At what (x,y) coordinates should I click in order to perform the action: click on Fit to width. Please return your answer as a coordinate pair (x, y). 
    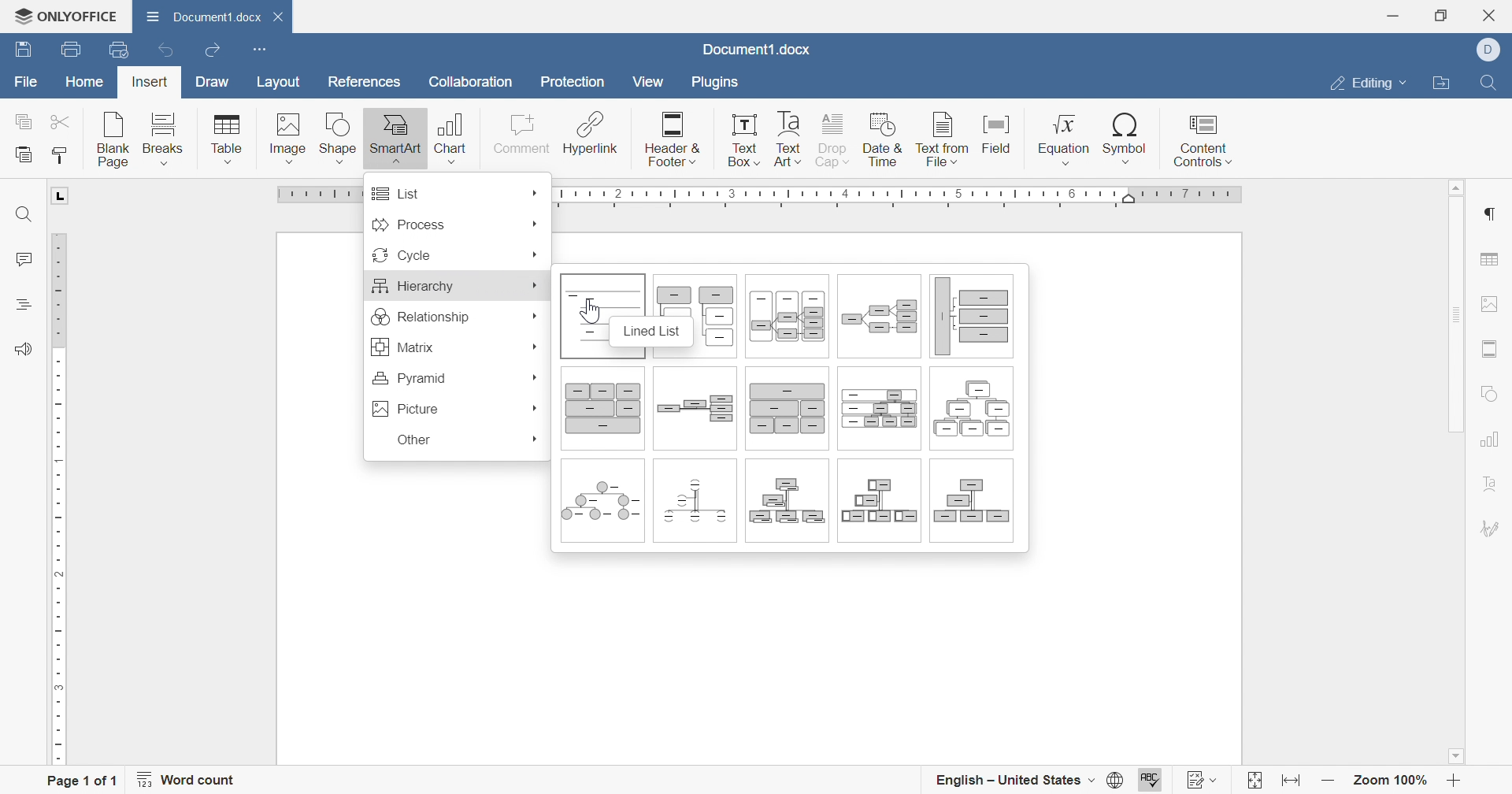
    Looking at the image, I should click on (1288, 781).